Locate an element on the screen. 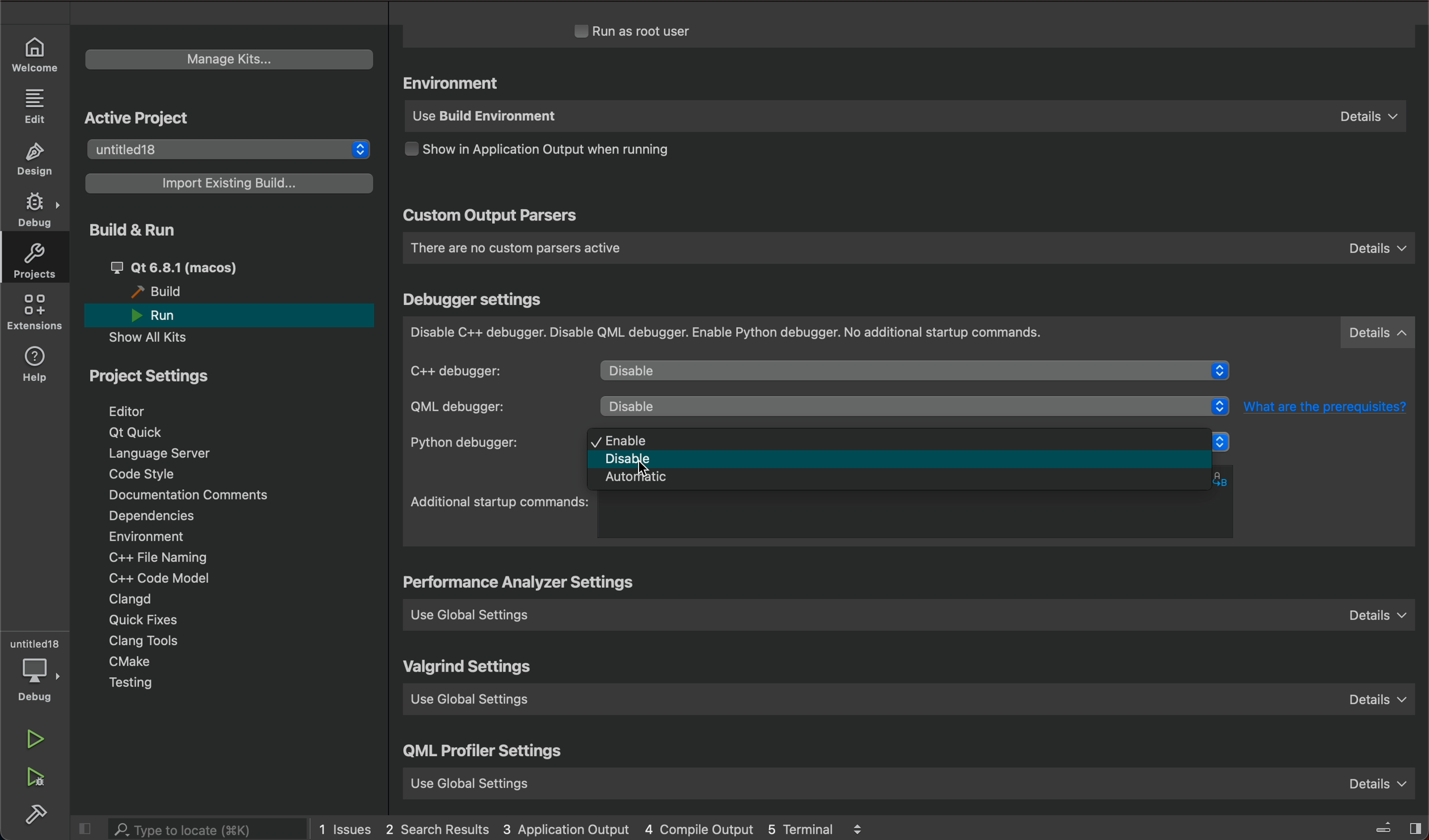  debug is located at coordinates (40, 680).